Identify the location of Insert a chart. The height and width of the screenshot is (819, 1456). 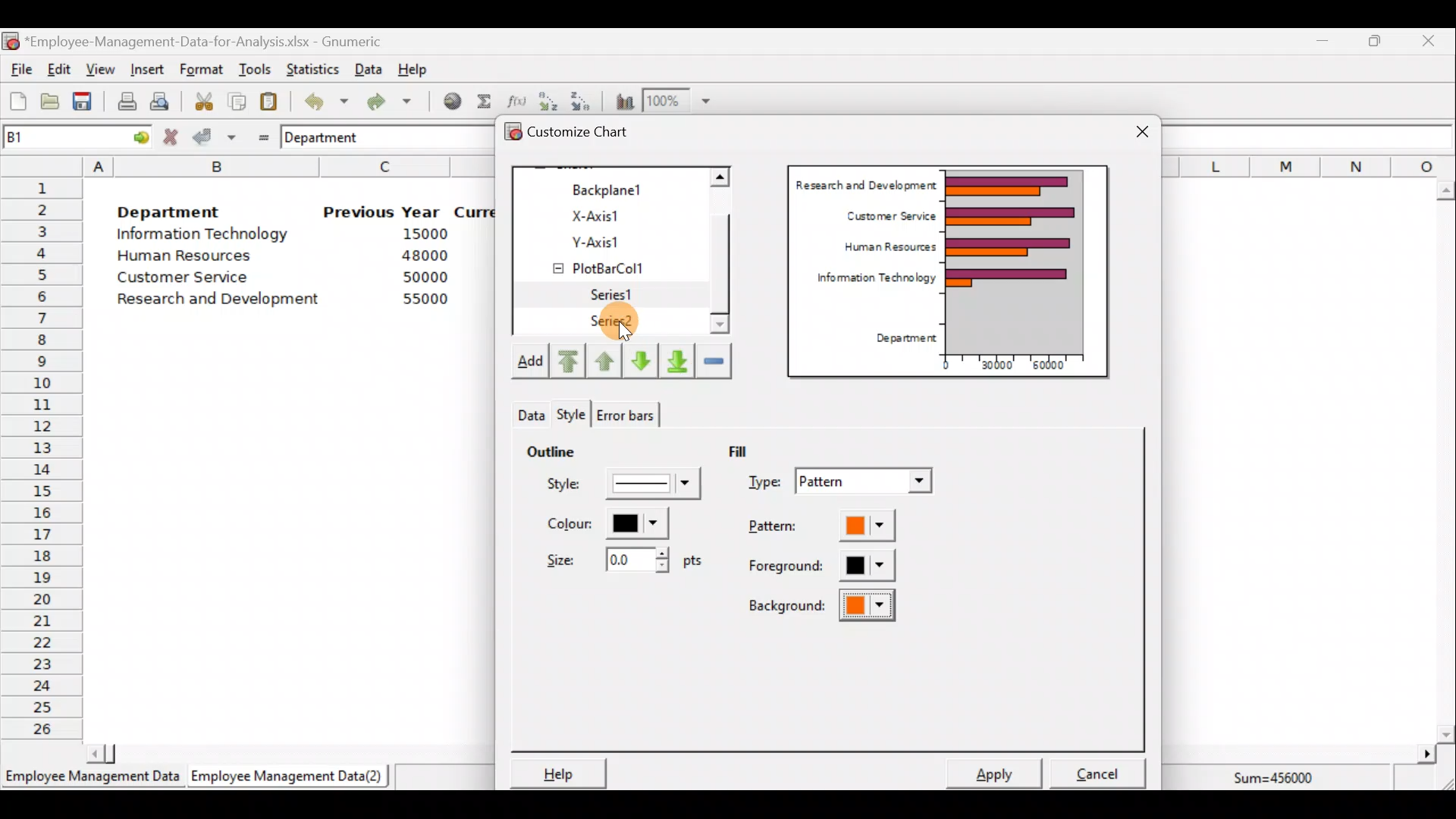
(621, 101).